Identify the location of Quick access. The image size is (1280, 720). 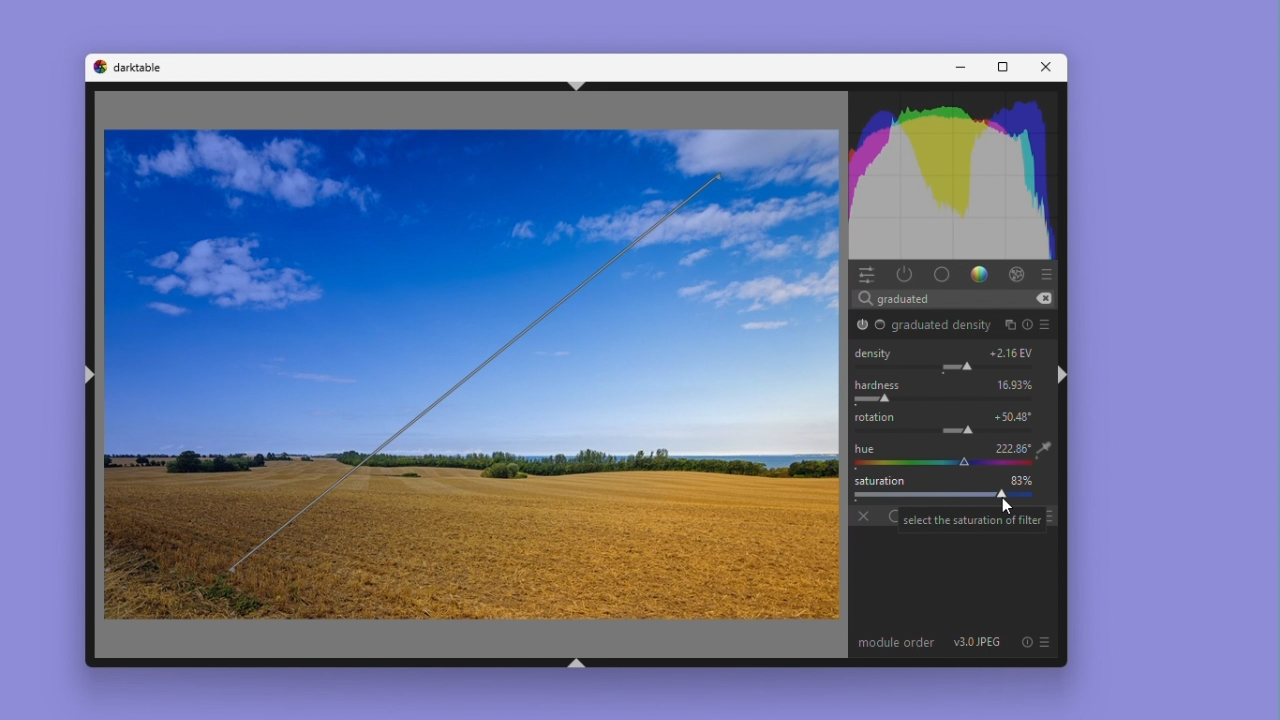
(866, 274).